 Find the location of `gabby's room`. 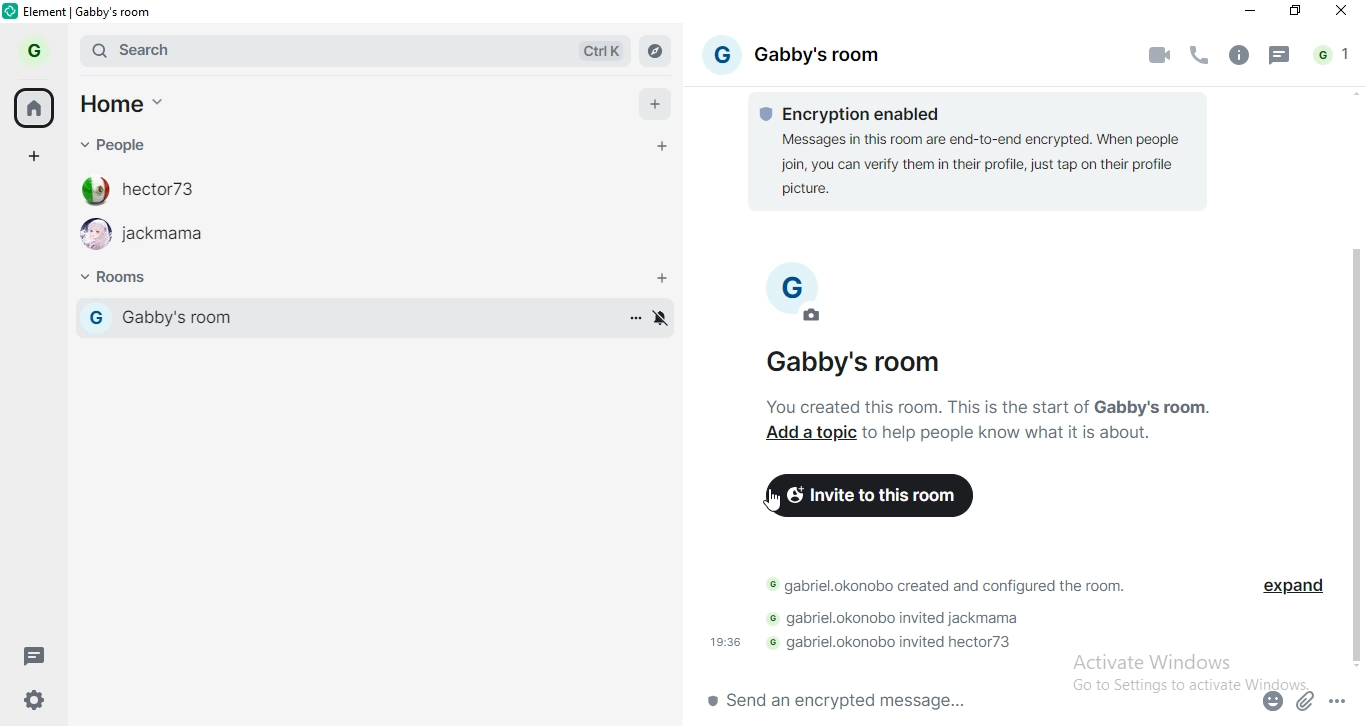

gabby's room is located at coordinates (351, 322).